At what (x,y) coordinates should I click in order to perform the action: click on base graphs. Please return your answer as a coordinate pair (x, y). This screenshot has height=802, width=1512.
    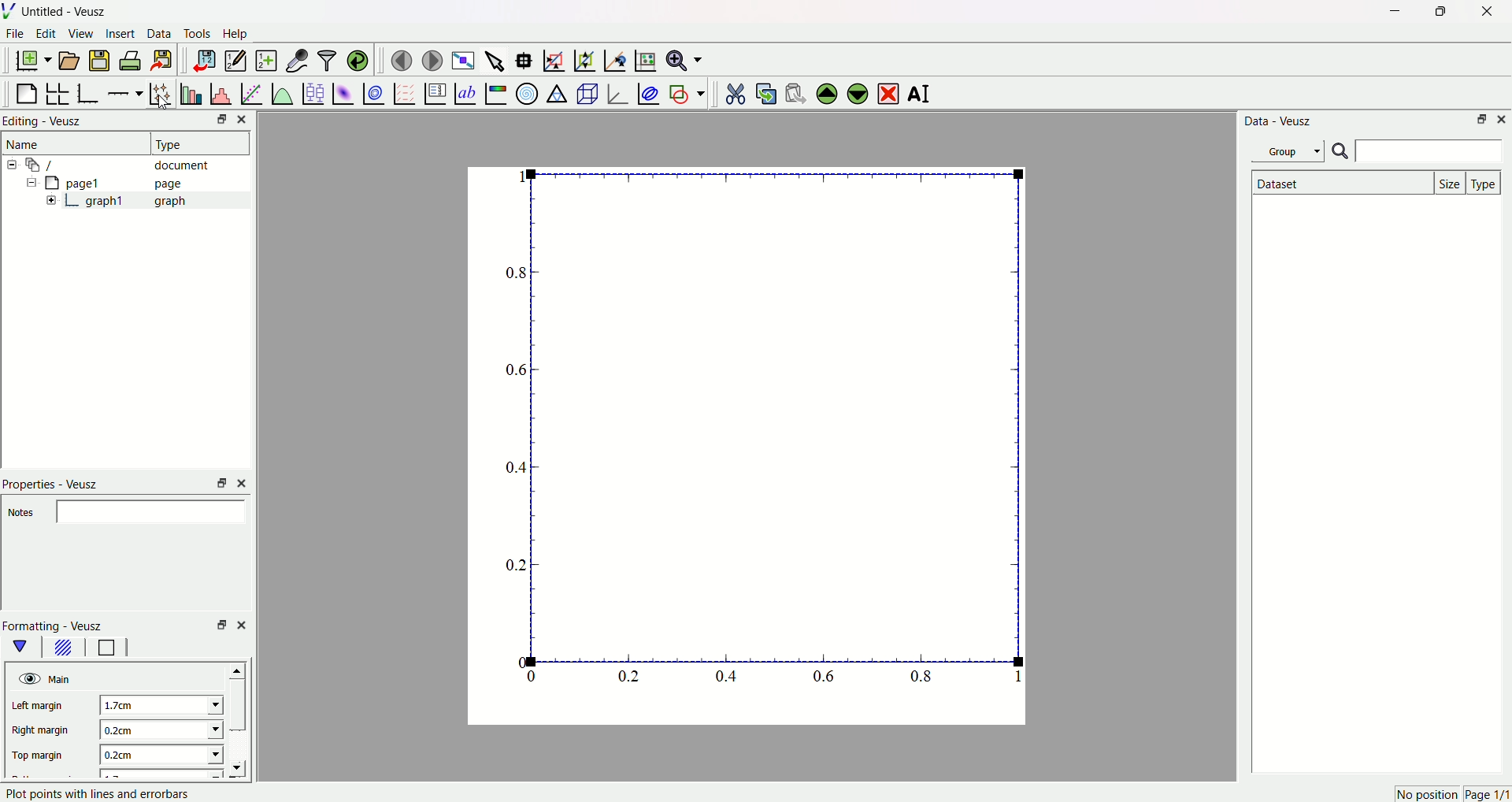
    Looking at the image, I should click on (90, 91).